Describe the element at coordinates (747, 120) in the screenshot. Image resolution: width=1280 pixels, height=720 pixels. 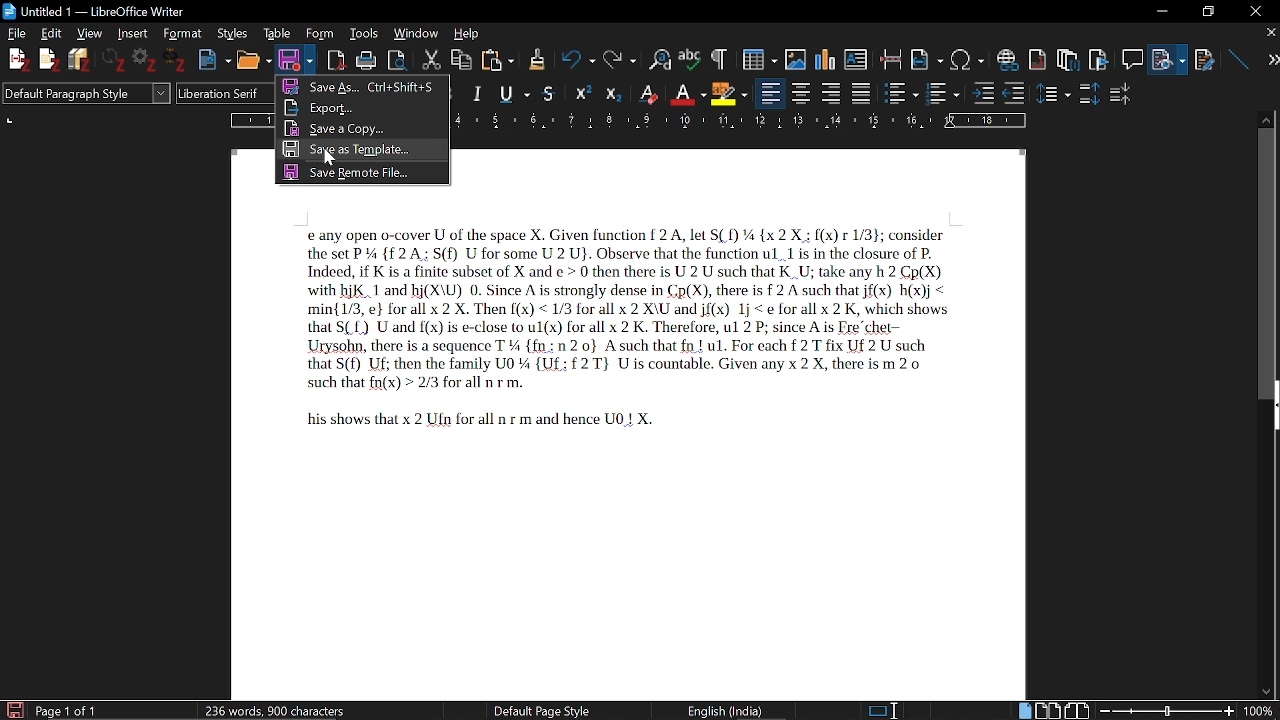
I see `Ruler` at that location.